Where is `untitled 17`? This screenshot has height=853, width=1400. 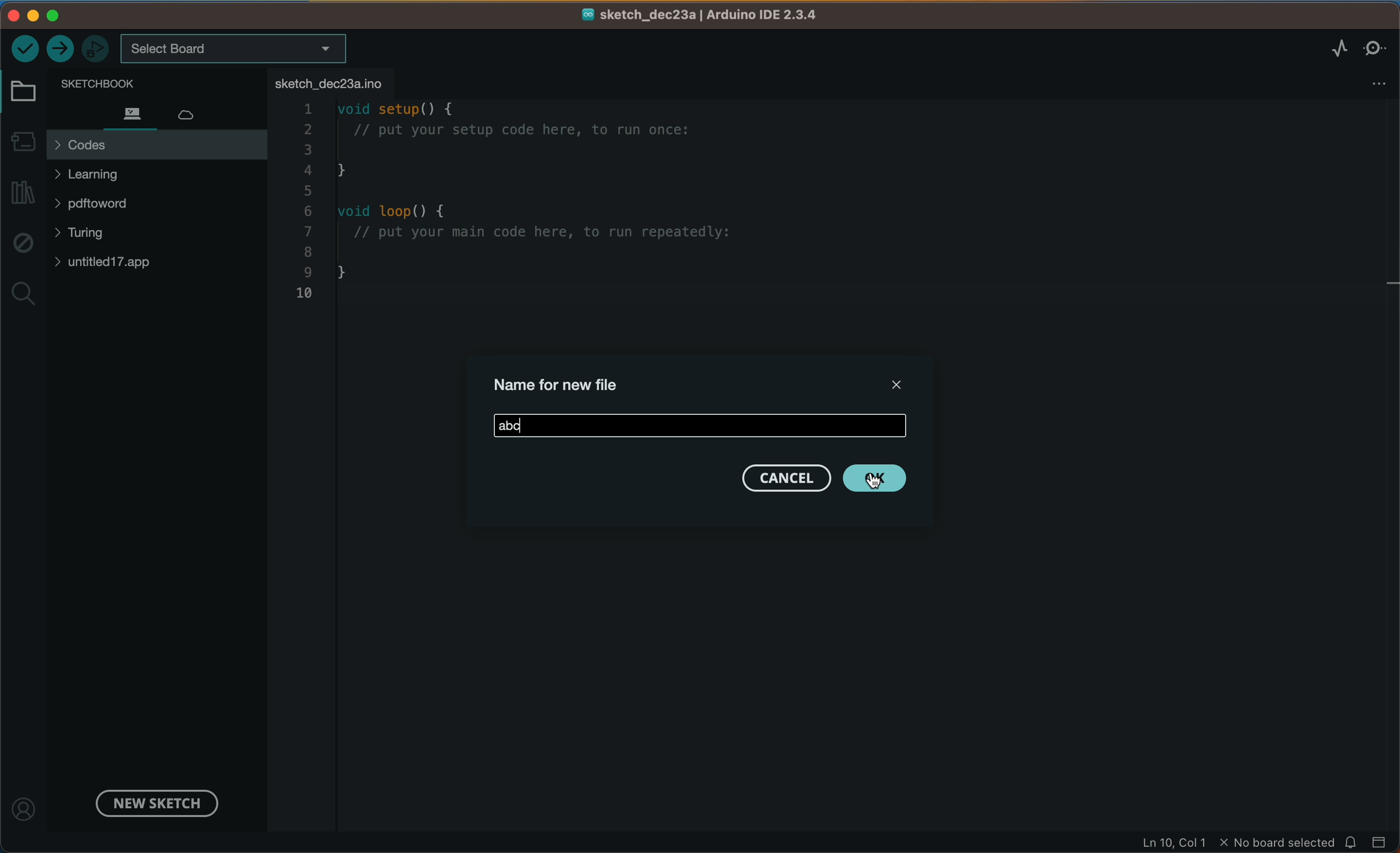
untitled 17 is located at coordinates (116, 262).